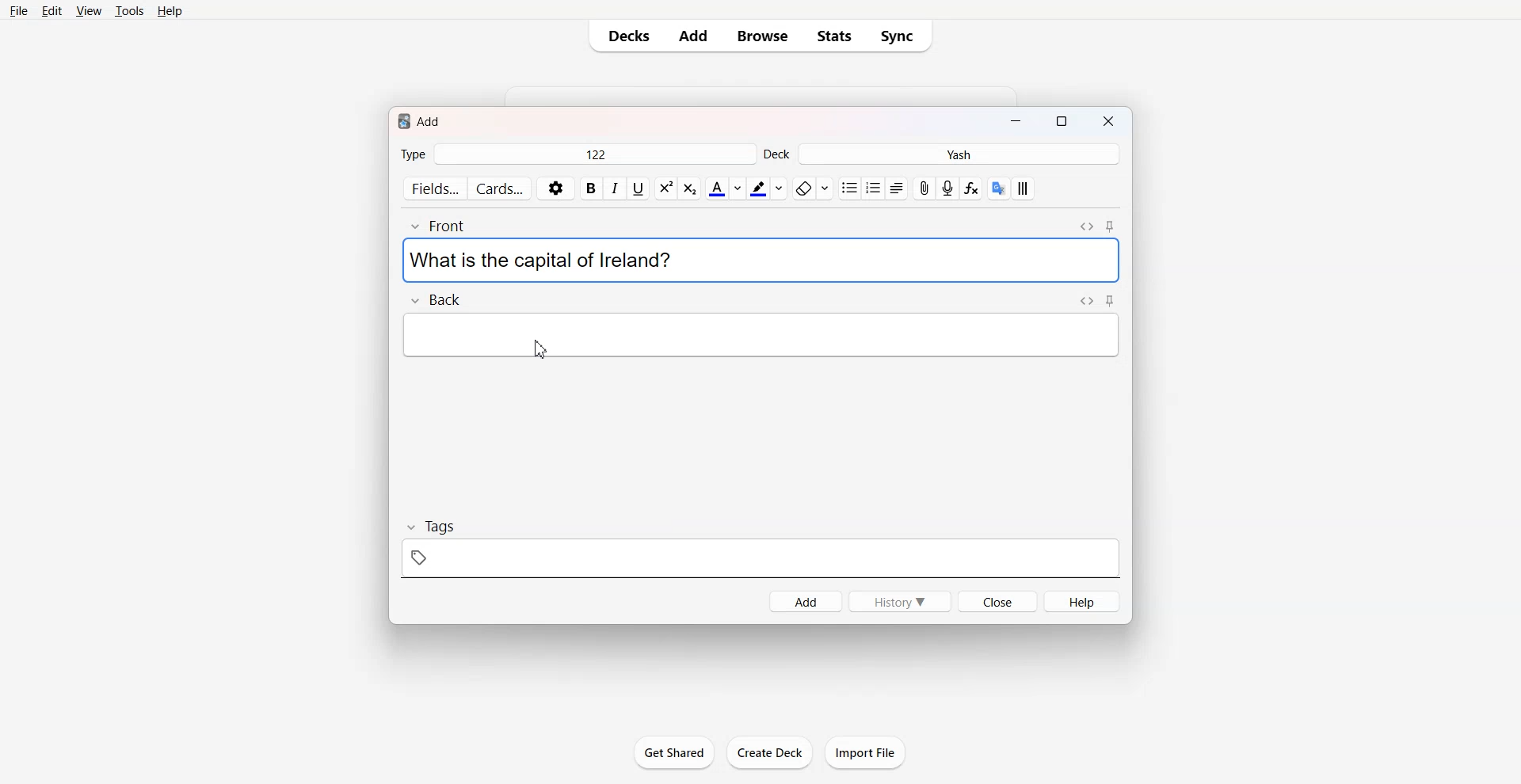  What do you see at coordinates (999, 188) in the screenshot?
I see `Google Translate` at bounding box center [999, 188].